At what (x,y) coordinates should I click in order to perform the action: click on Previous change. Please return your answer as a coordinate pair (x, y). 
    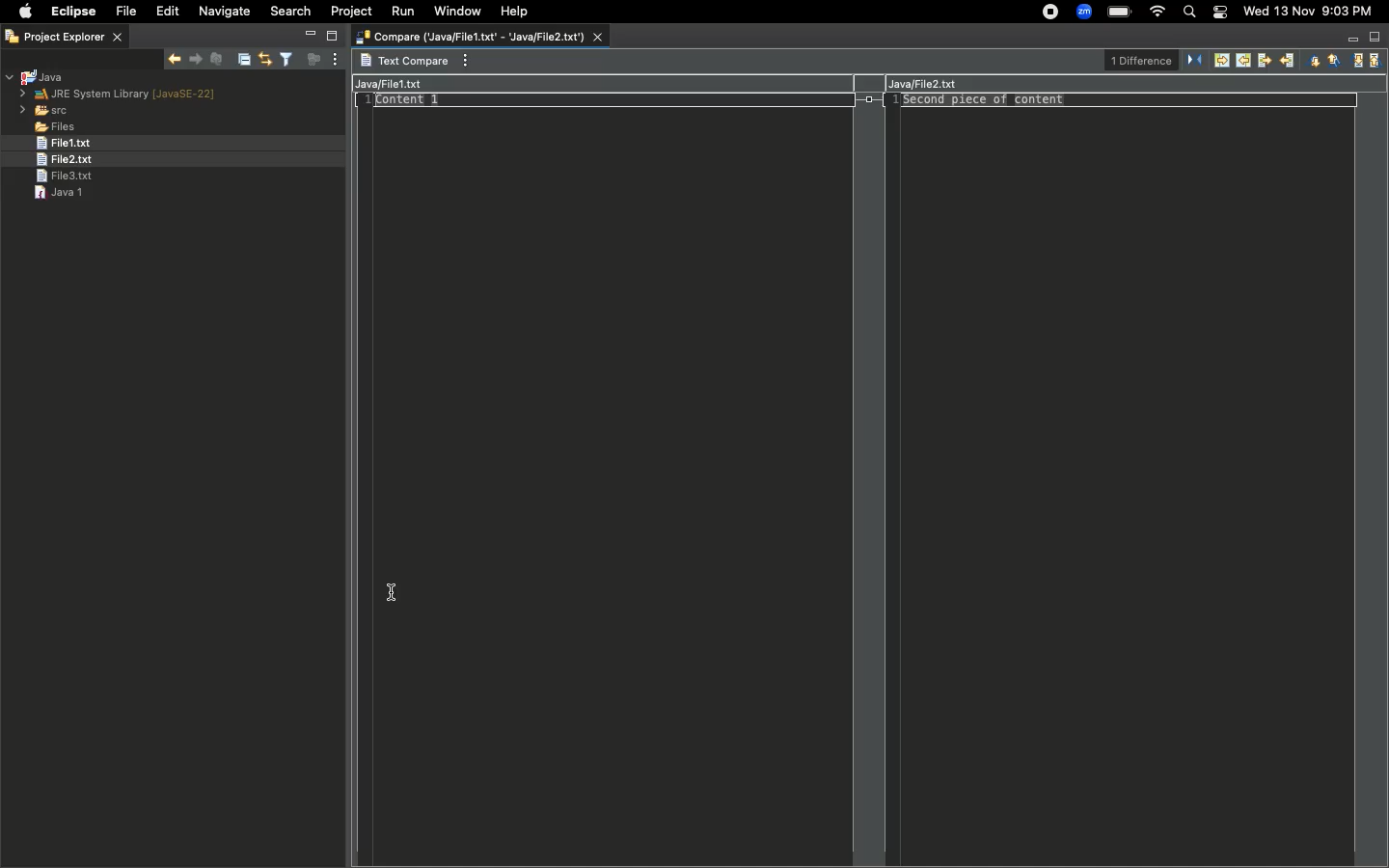
    Looking at the image, I should click on (1376, 62).